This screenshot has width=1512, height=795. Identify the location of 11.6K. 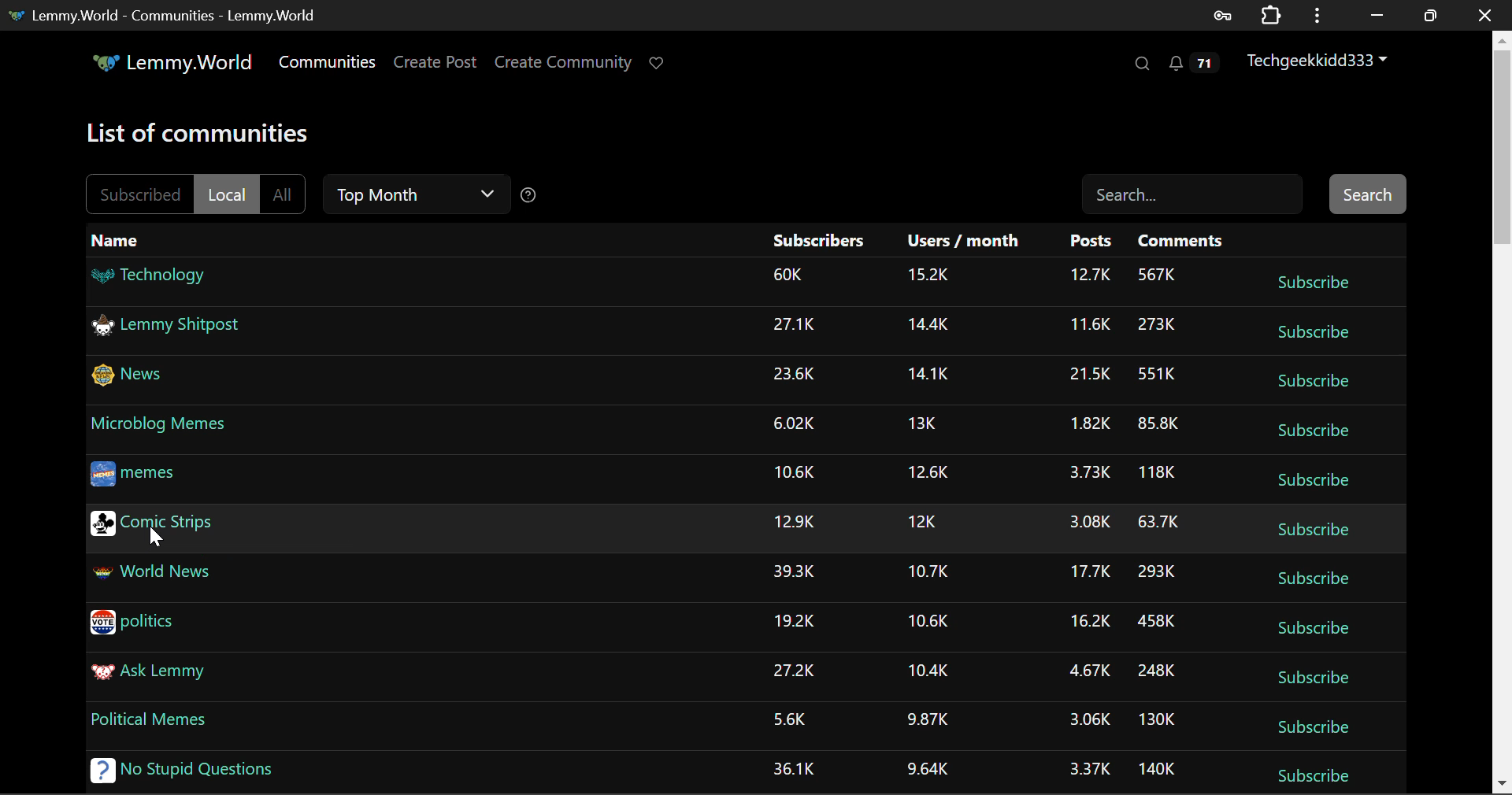
(1090, 324).